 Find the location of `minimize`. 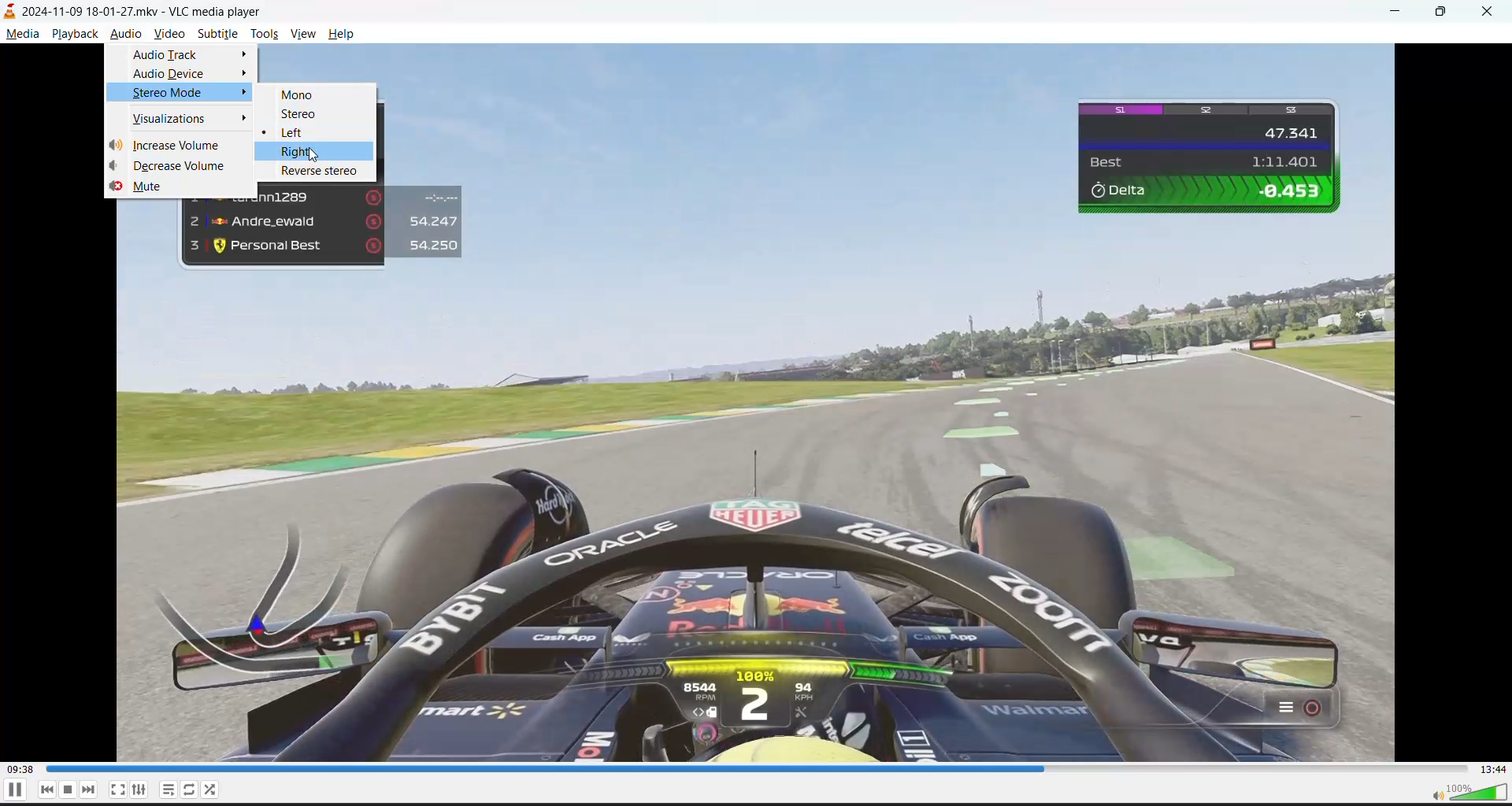

minimize is located at coordinates (1402, 12).